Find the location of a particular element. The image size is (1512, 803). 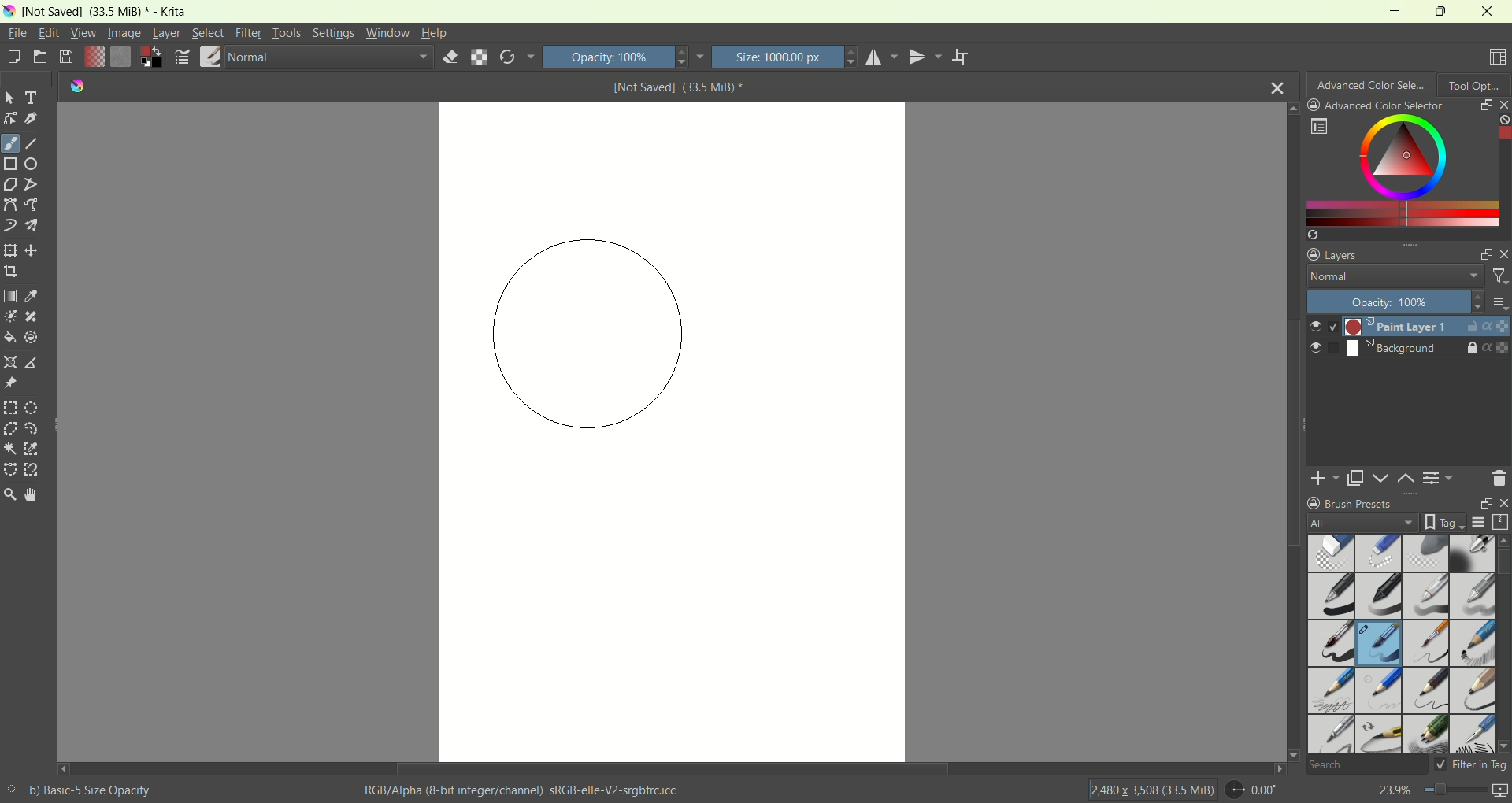

pencil 1 is located at coordinates (1472, 642).